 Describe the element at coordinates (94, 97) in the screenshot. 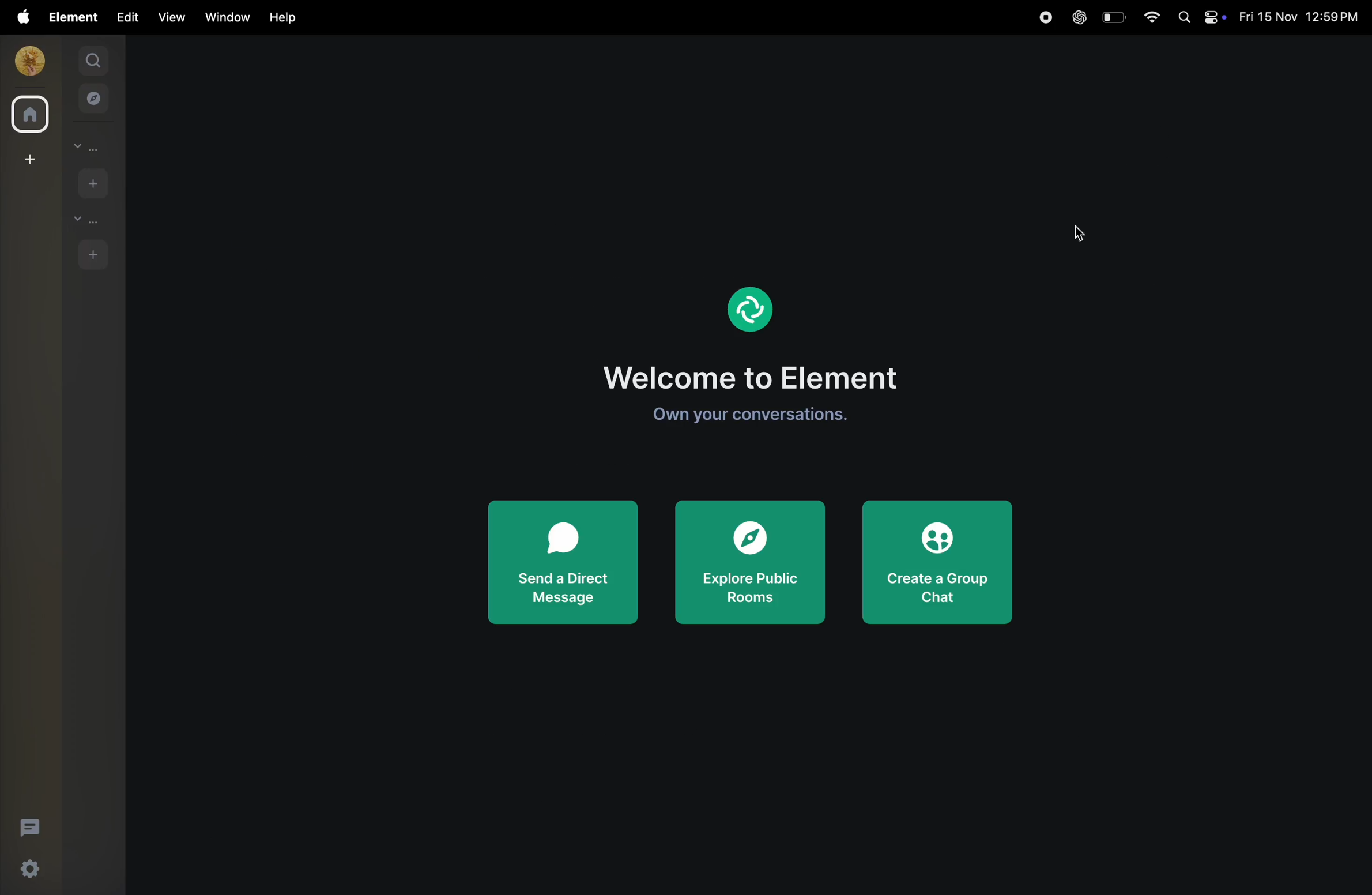

I see `explore` at that location.